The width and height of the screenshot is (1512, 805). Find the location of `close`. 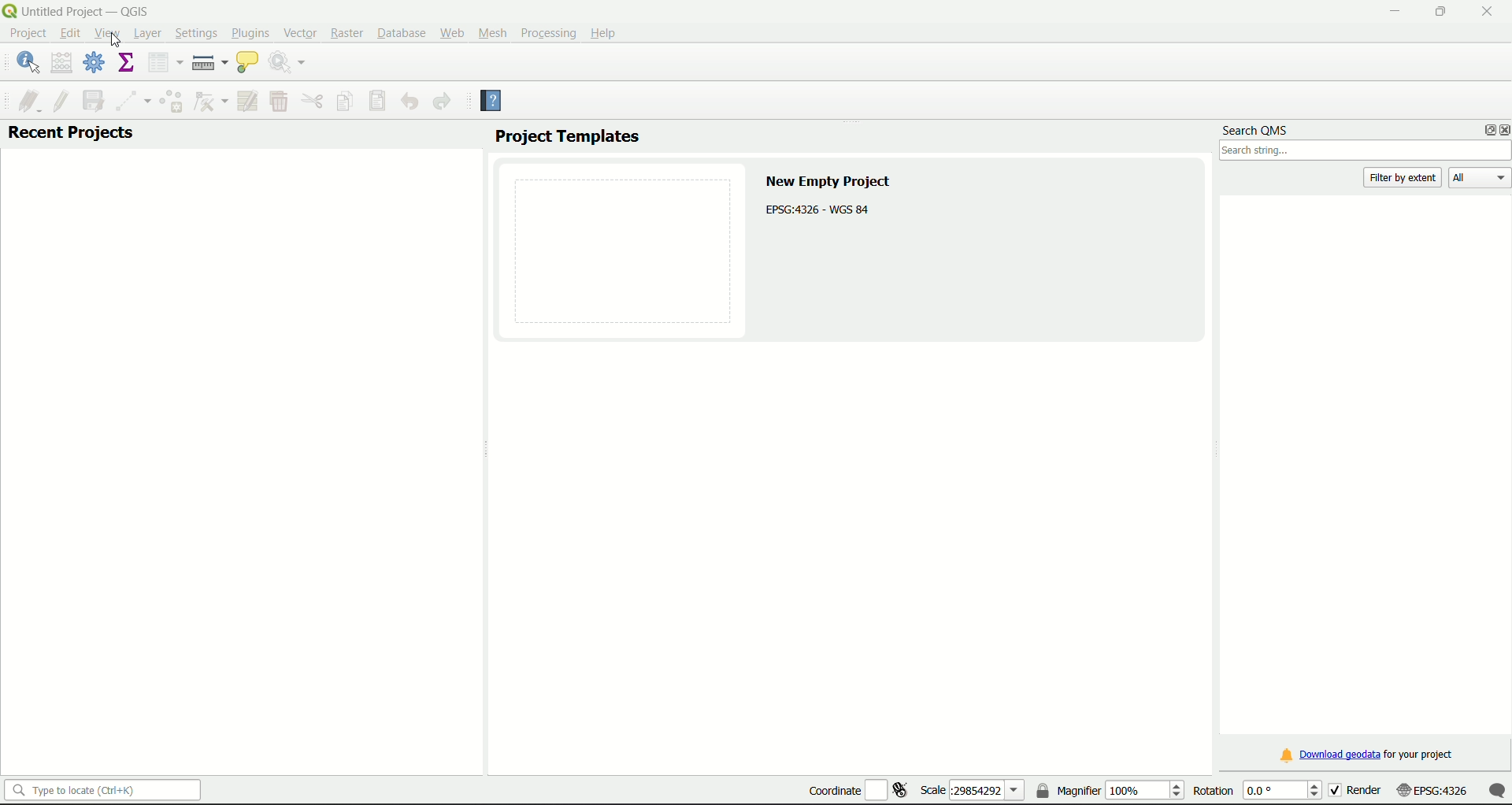

close is located at coordinates (1503, 131).